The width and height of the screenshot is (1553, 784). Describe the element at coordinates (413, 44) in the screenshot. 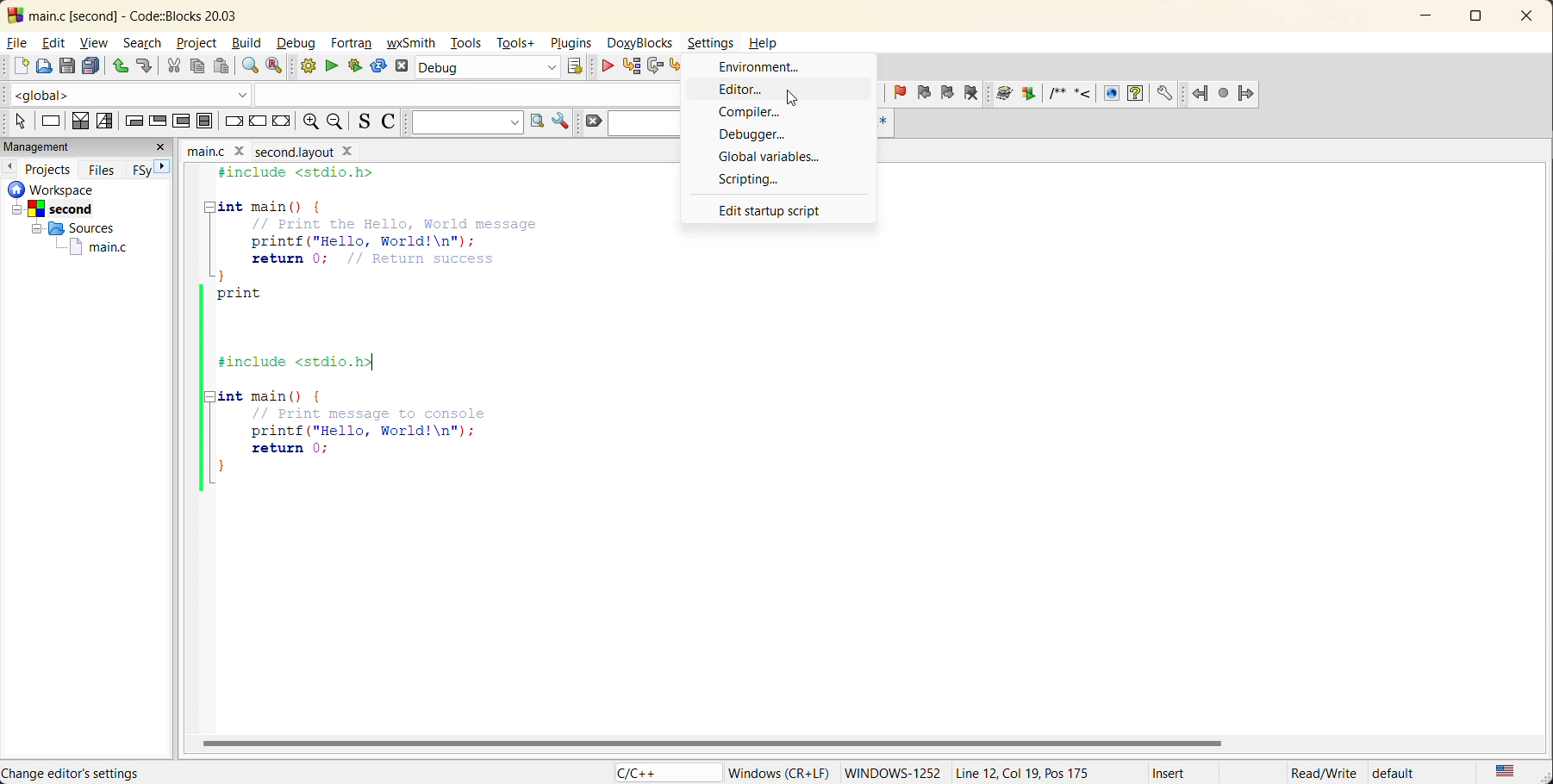

I see `wxsmith` at that location.